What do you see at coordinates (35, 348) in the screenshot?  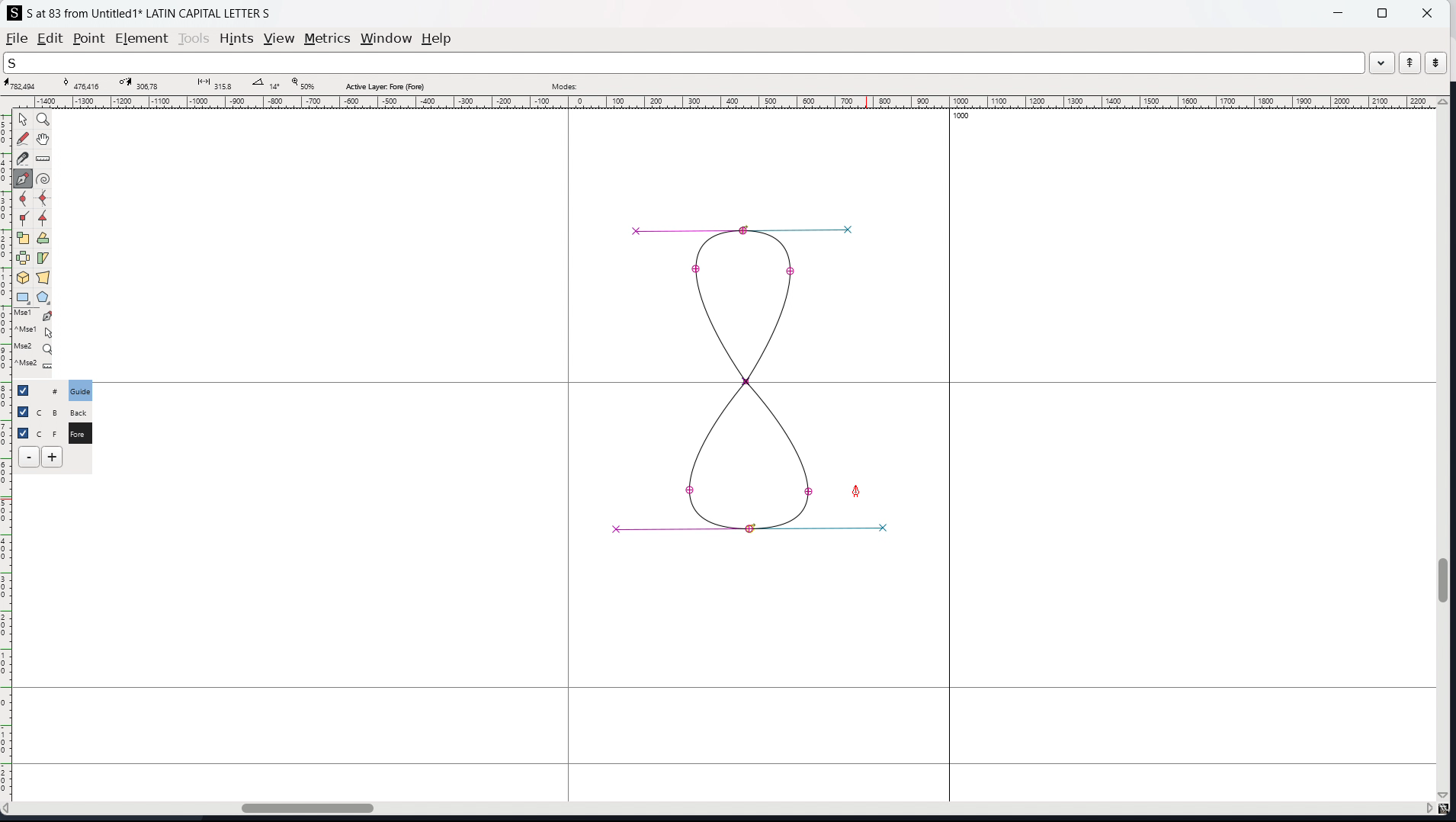 I see `Mse2` at bounding box center [35, 348].